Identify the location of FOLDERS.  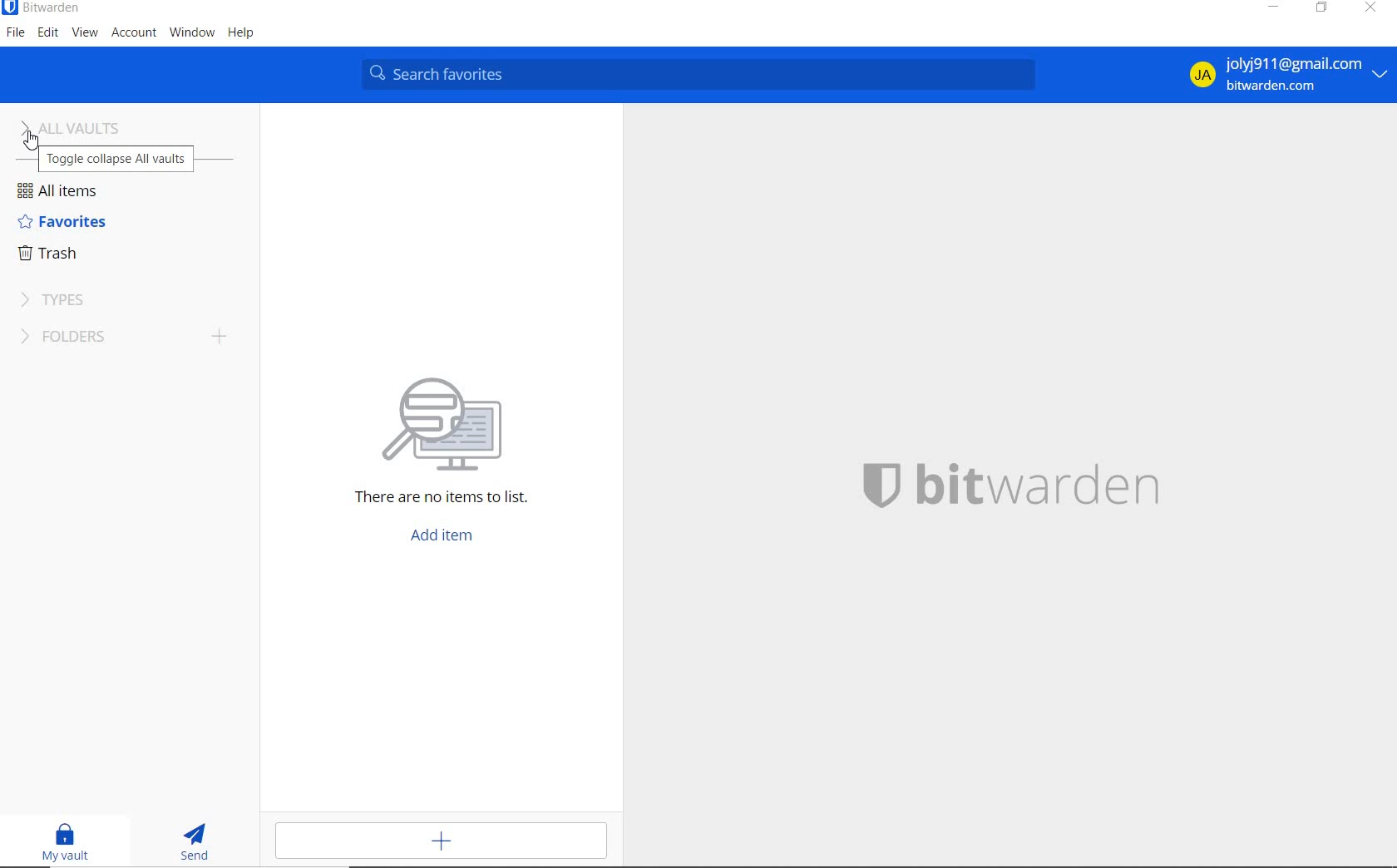
(99, 340).